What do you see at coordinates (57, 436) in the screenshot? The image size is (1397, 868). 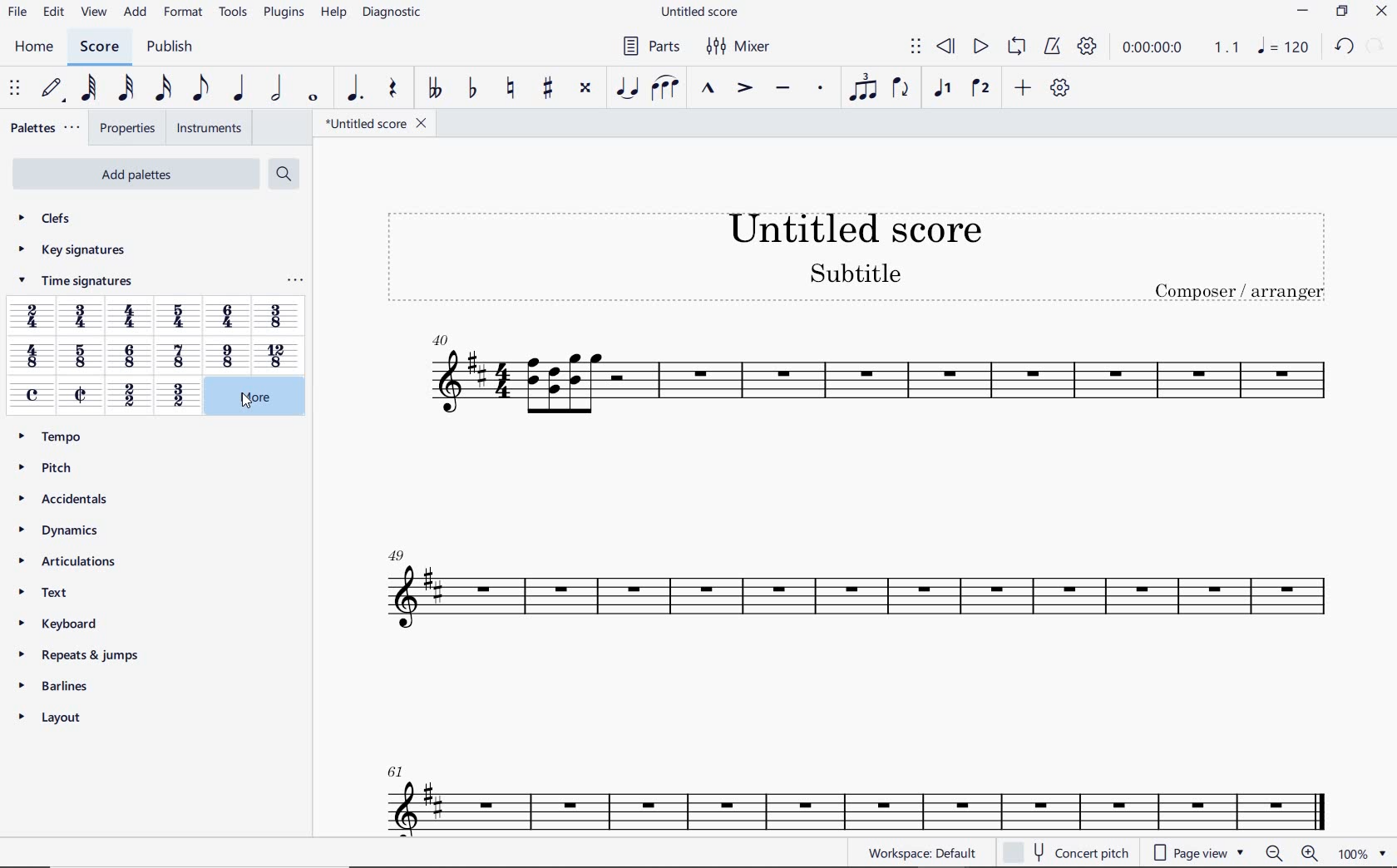 I see `TEMPO` at bounding box center [57, 436].